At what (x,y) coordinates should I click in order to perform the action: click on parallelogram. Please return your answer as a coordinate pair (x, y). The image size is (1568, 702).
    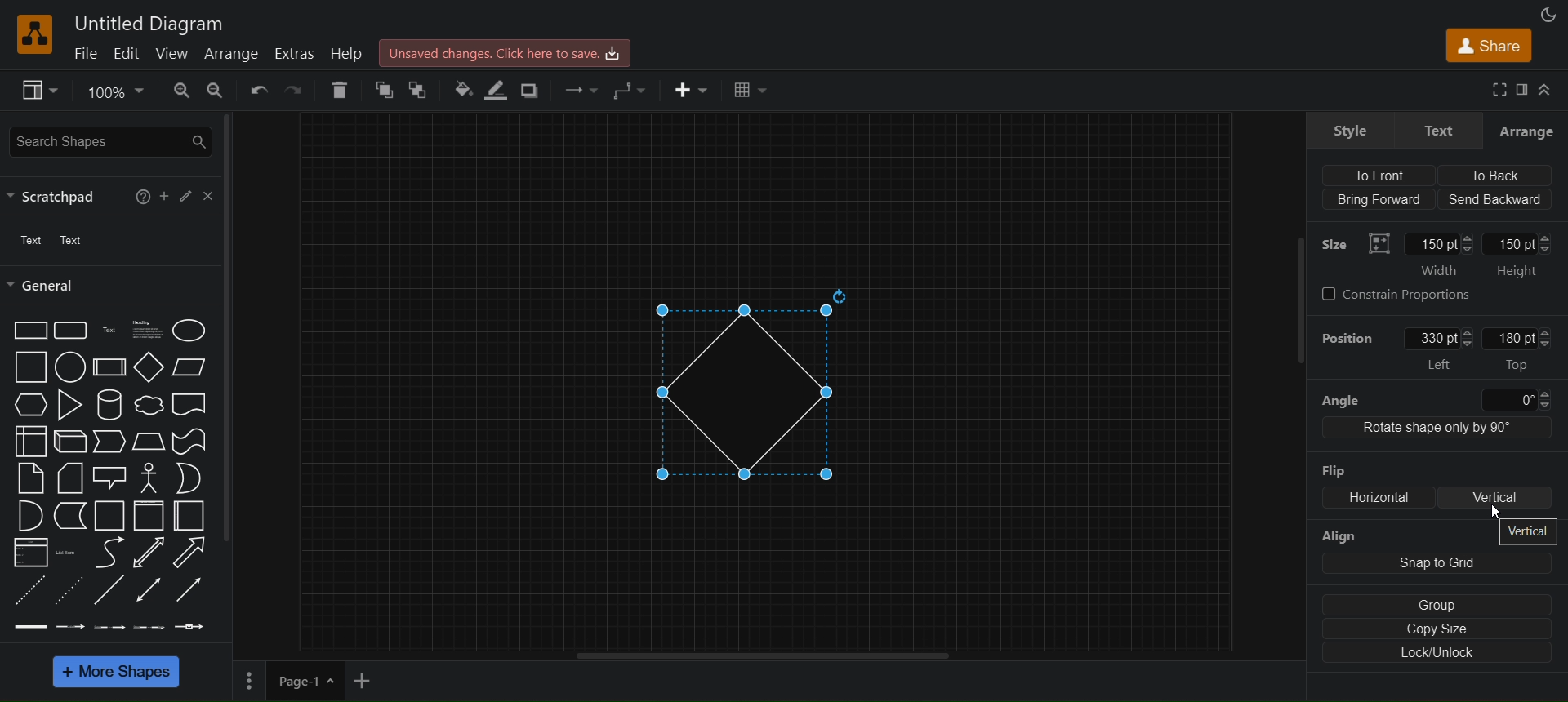
    Looking at the image, I should click on (186, 367).